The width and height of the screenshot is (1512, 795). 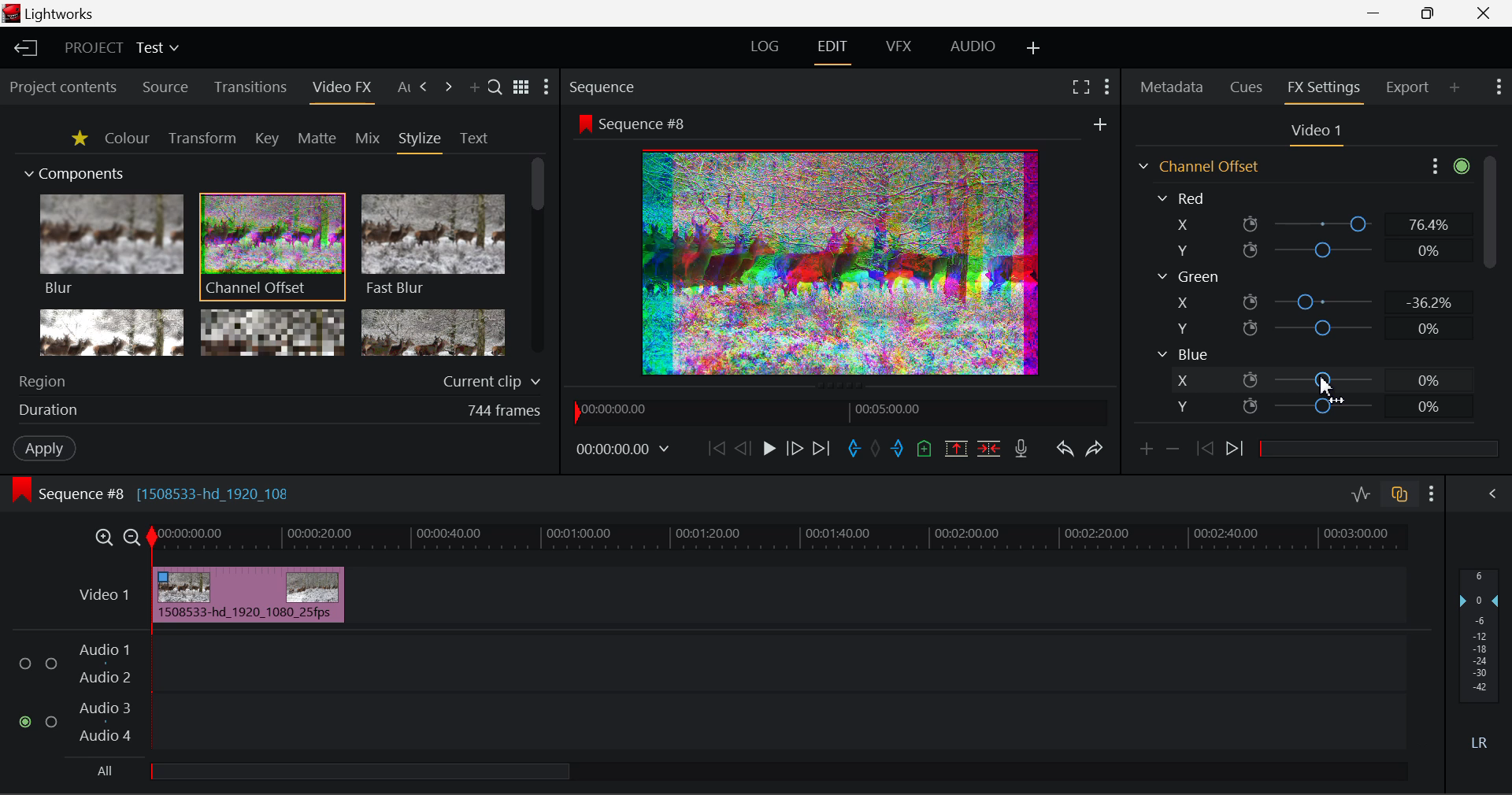 What do you see at coordinates (521, 84) in the screenshot?
I see `Toggle between title and list view` at bounding box center [521, 84].